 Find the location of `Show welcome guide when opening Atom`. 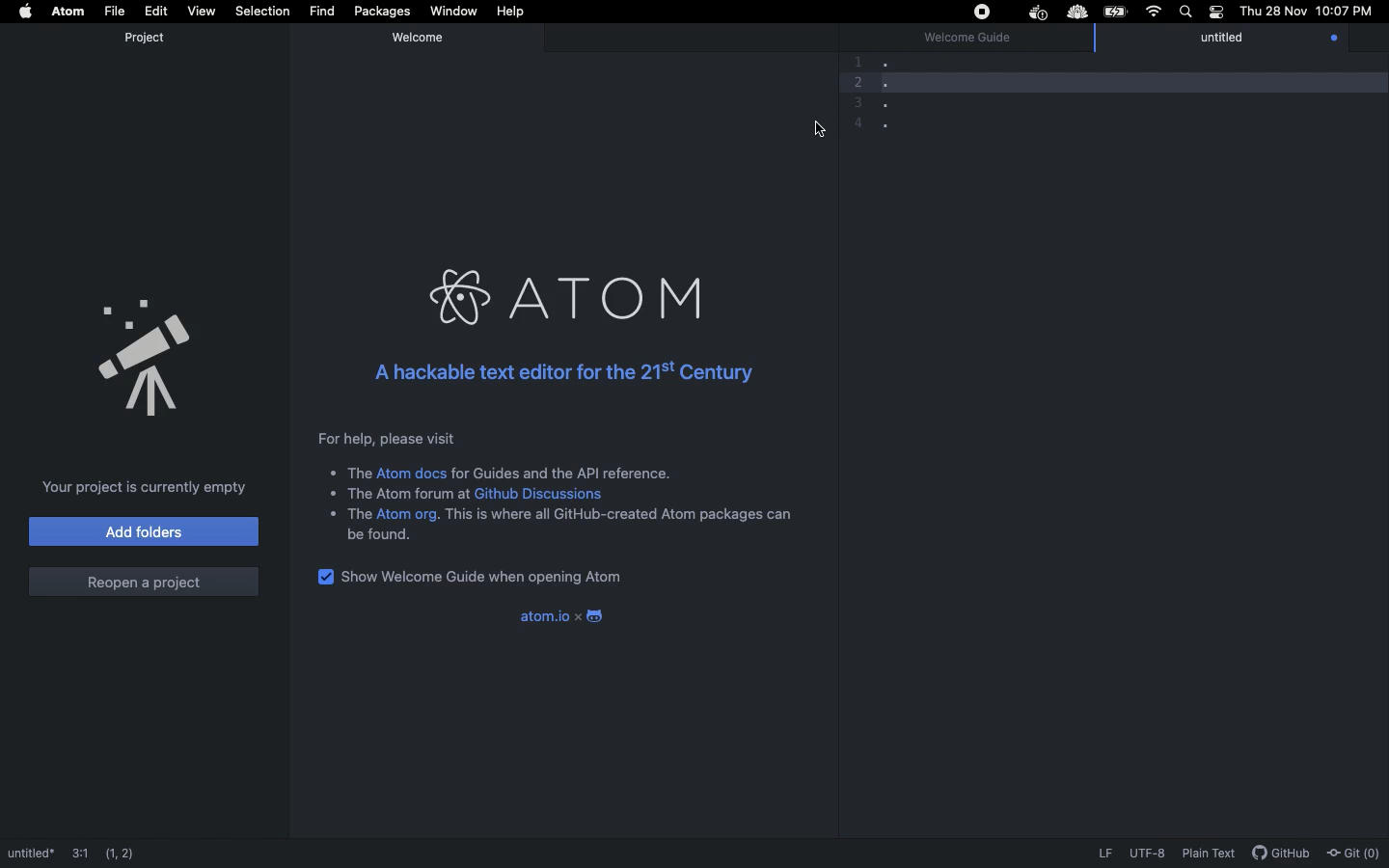

Show welcome guide when opening Atom is located at coordinates (492, 577).